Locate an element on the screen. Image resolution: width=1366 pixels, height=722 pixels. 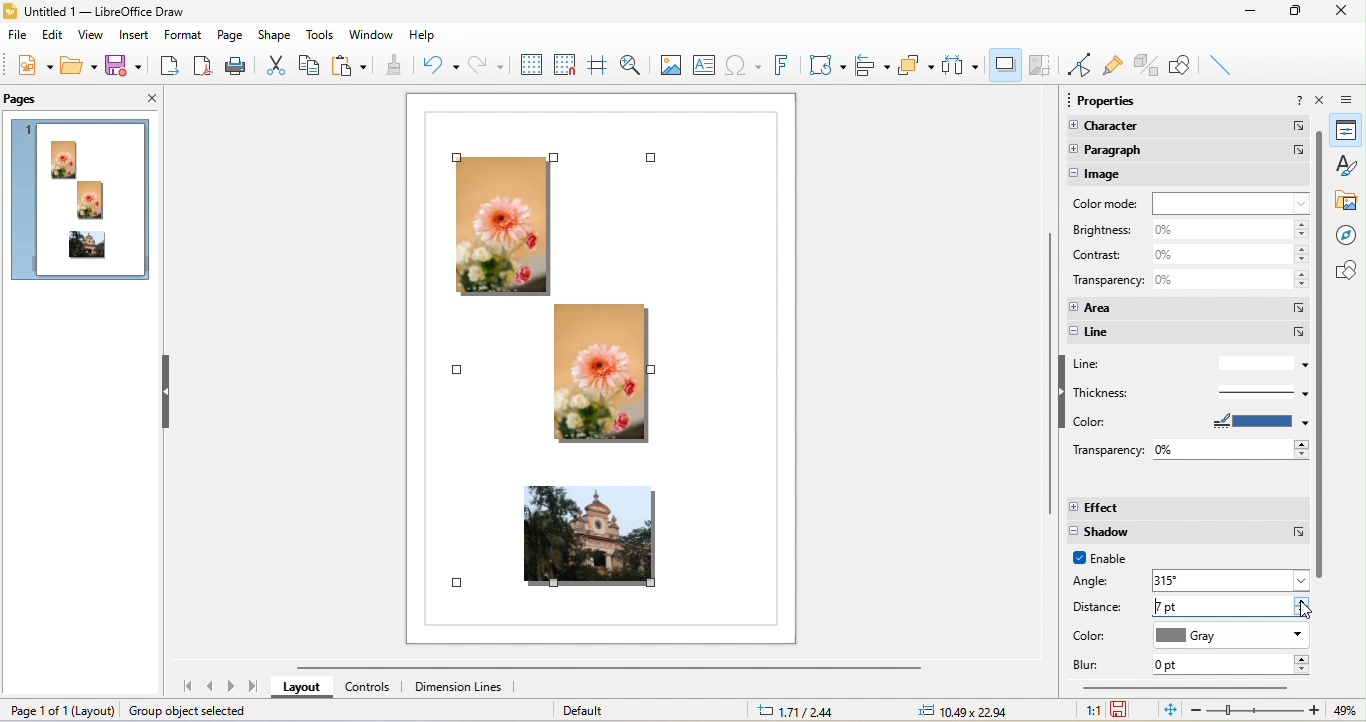
image is located at coordinates (669, 64).